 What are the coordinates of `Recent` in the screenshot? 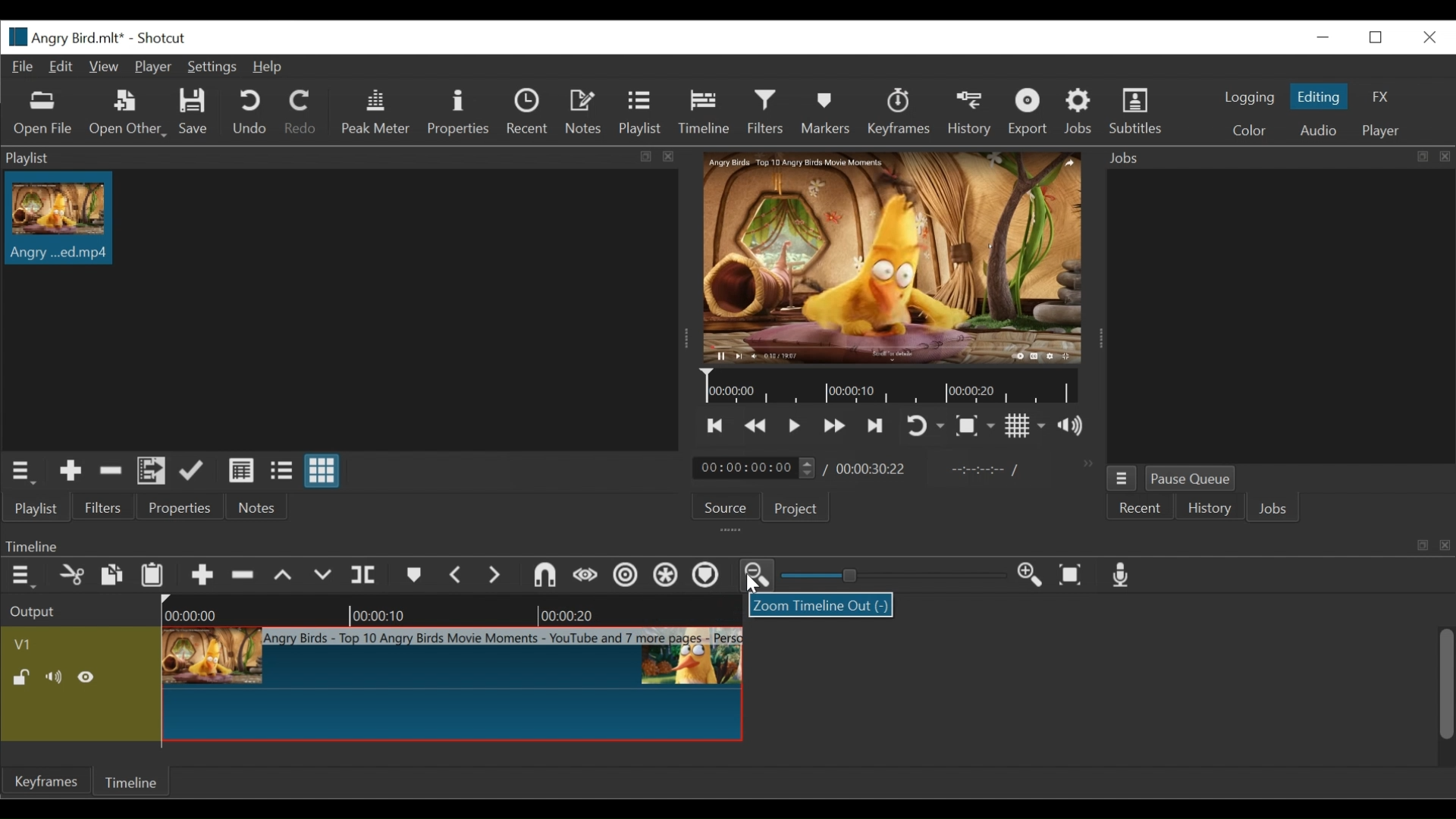 It's located at (526, 113).